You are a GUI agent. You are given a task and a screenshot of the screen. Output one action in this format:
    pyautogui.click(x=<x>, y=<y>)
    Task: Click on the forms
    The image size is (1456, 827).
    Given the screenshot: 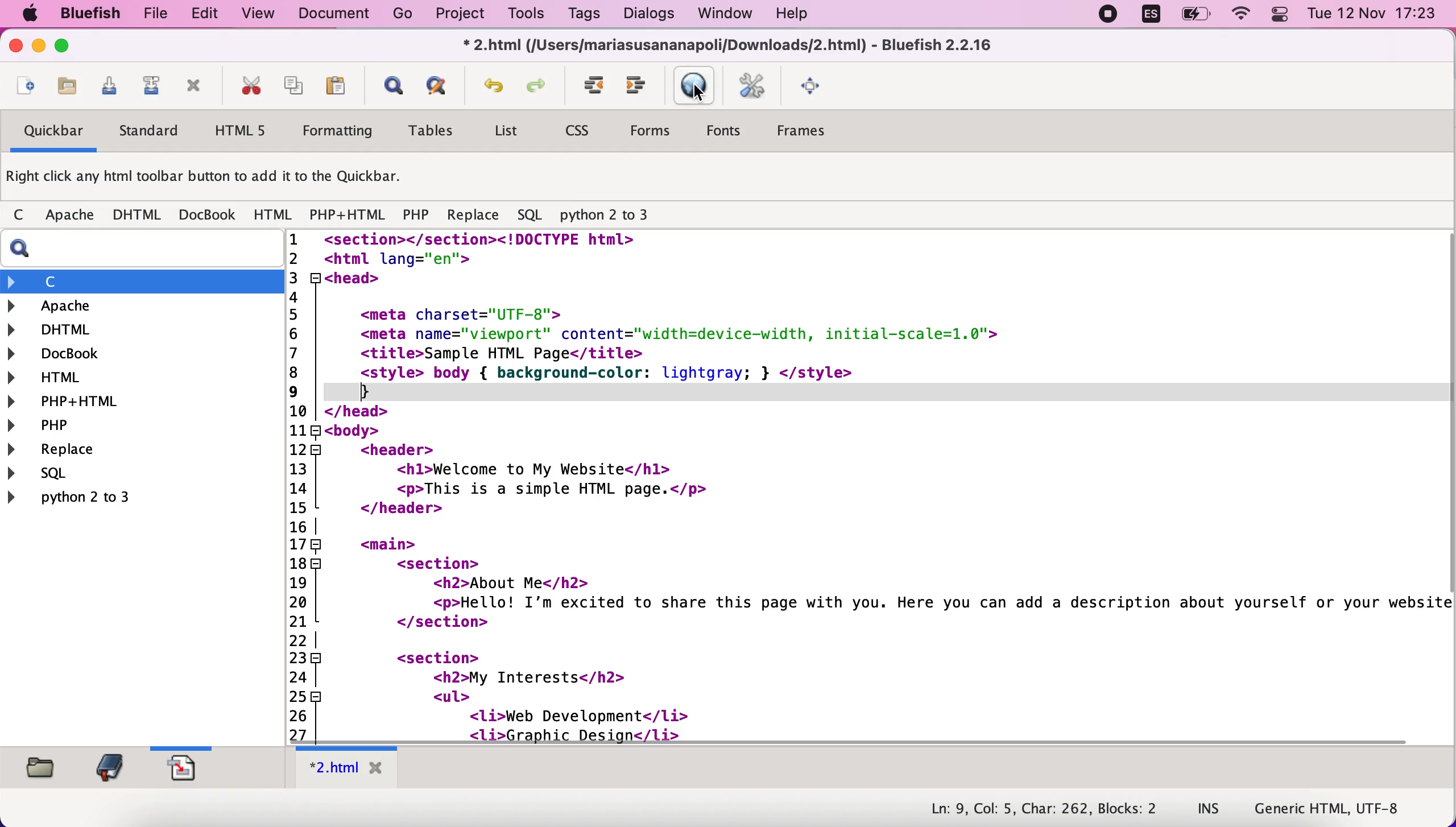 What is the action you would take?
    pyautogui.click(x=655, y=130)
    